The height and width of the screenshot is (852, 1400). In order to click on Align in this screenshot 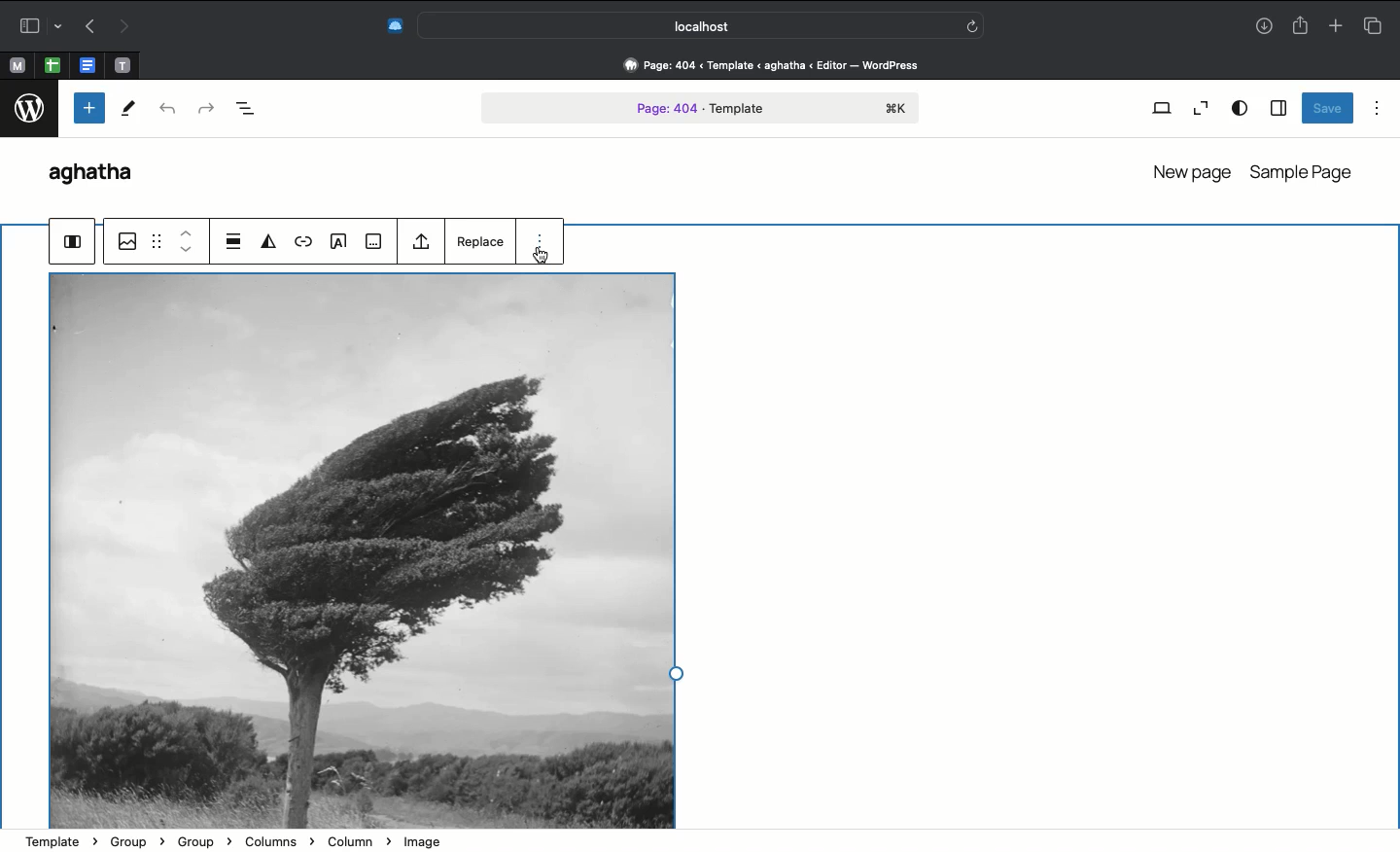, I will do `click(234, 243)`.